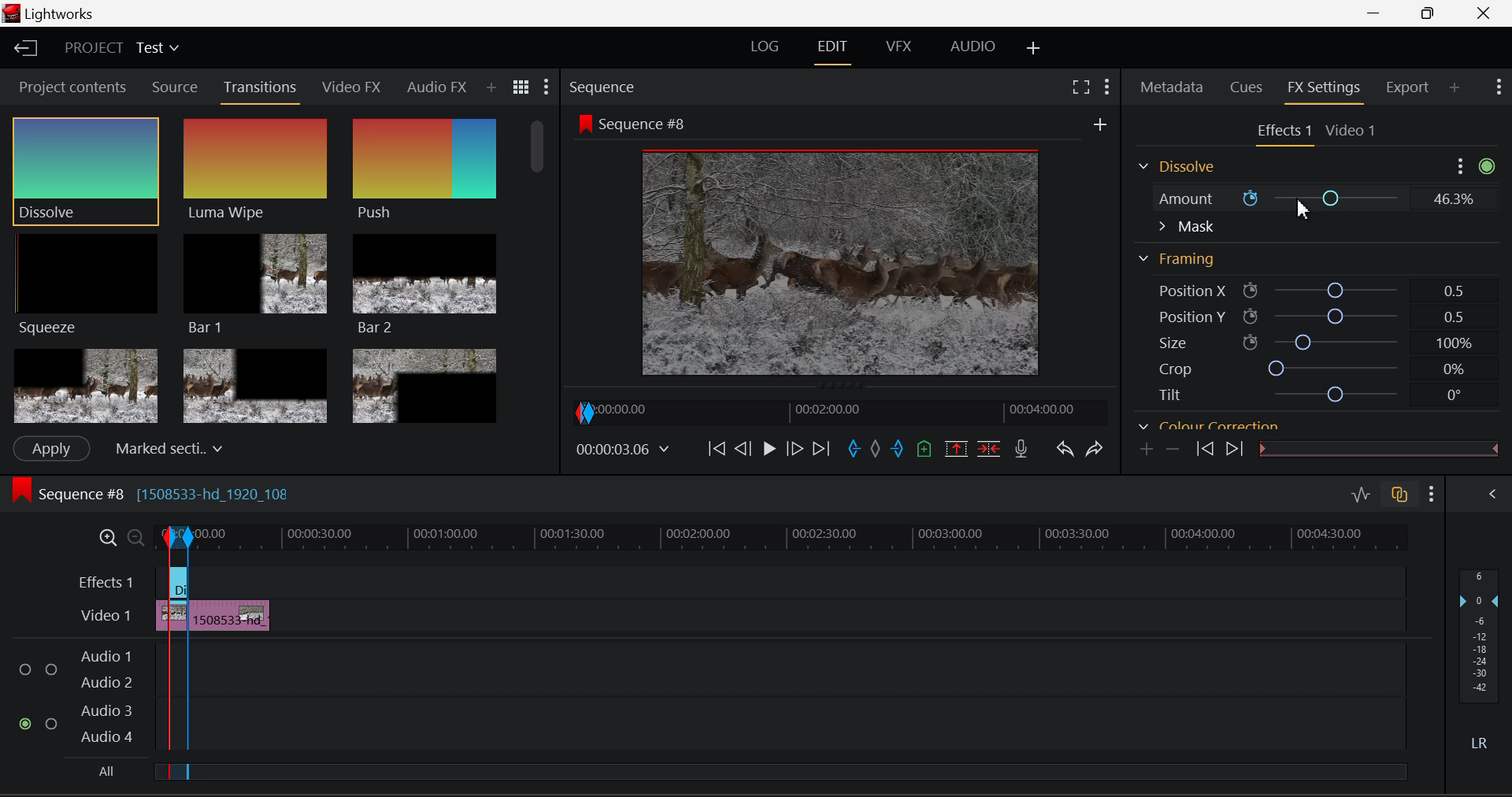  What do you see at coordinates (992, 447) in the screenshot?
I see `Delete/Cut` at bounding box center [992, 447].